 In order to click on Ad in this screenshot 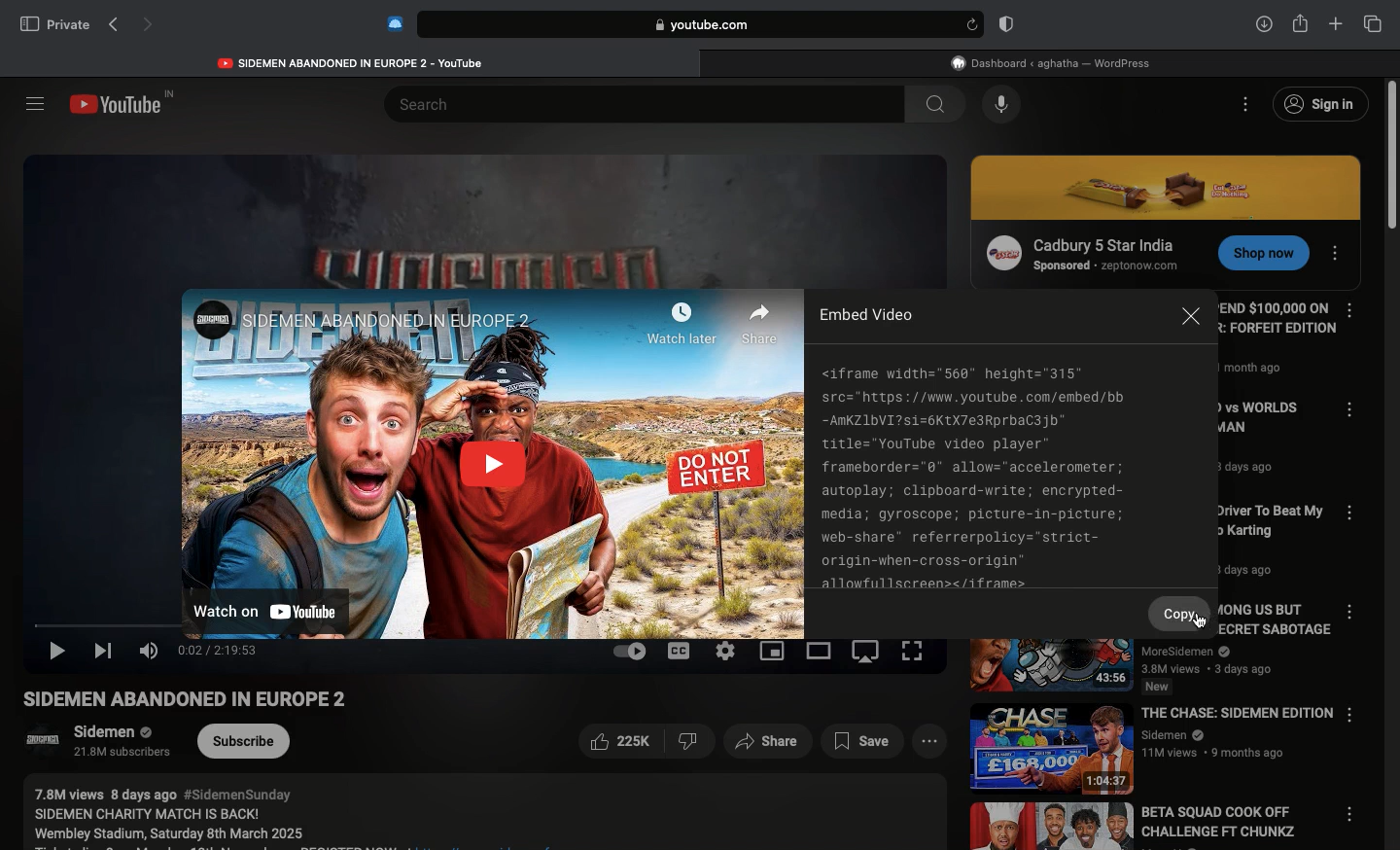, I will do `click(1079, 252)`.